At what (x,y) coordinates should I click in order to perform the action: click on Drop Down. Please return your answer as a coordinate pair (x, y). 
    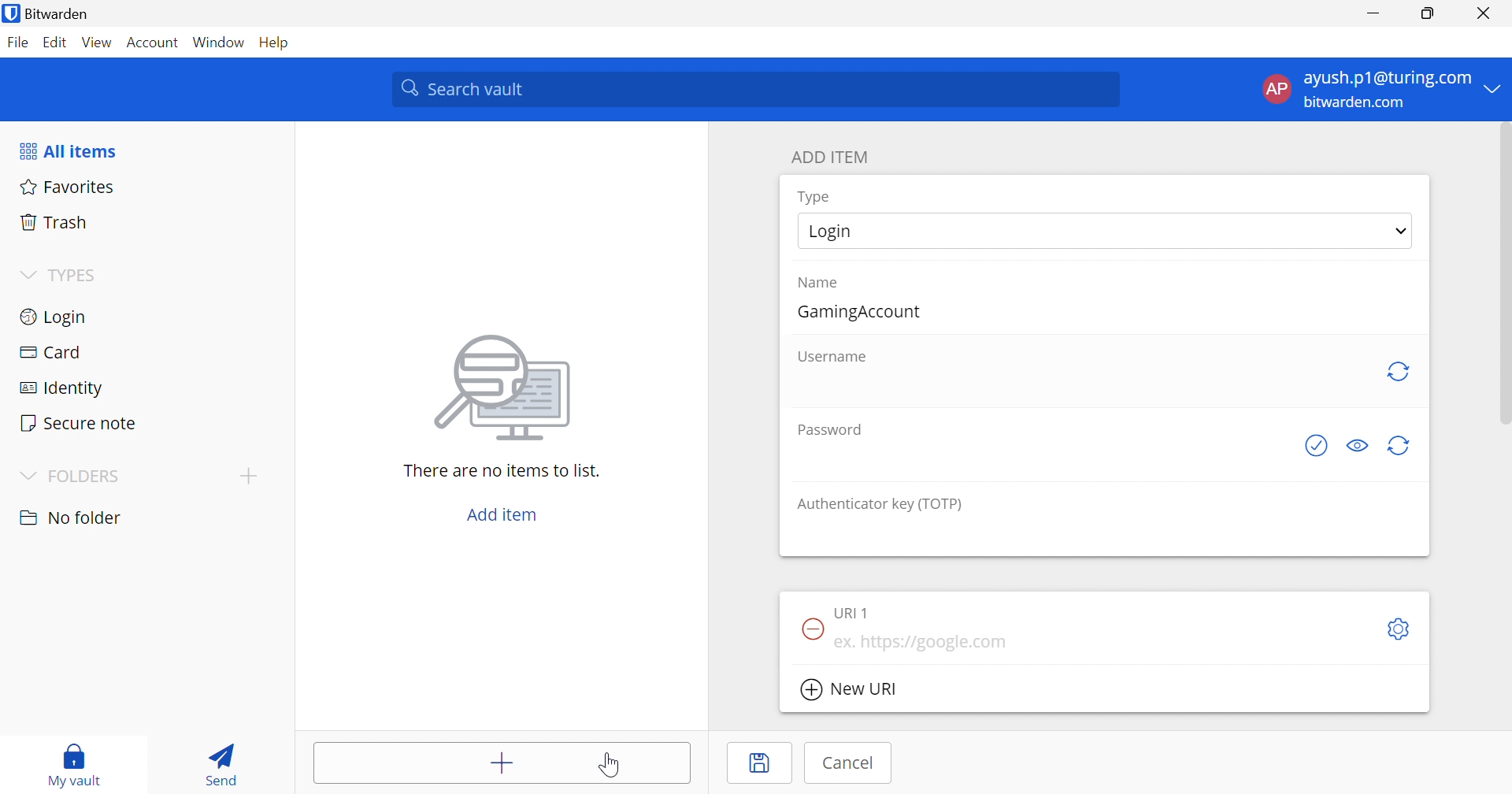
    Looking at the image, I should click on (27, 275).